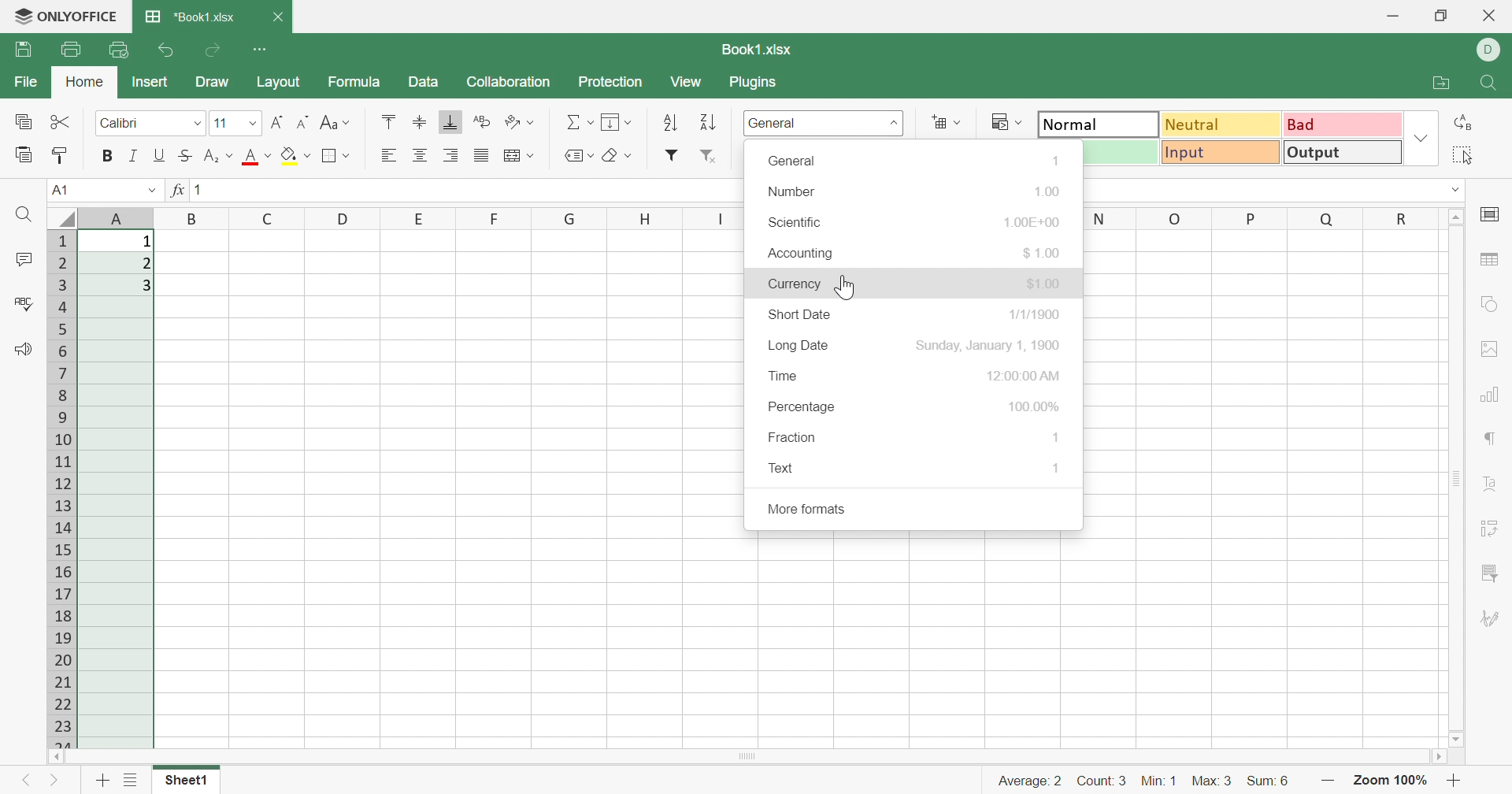 The image size is (1512, 794). I want to click on Neutral, so click(1223, 124).